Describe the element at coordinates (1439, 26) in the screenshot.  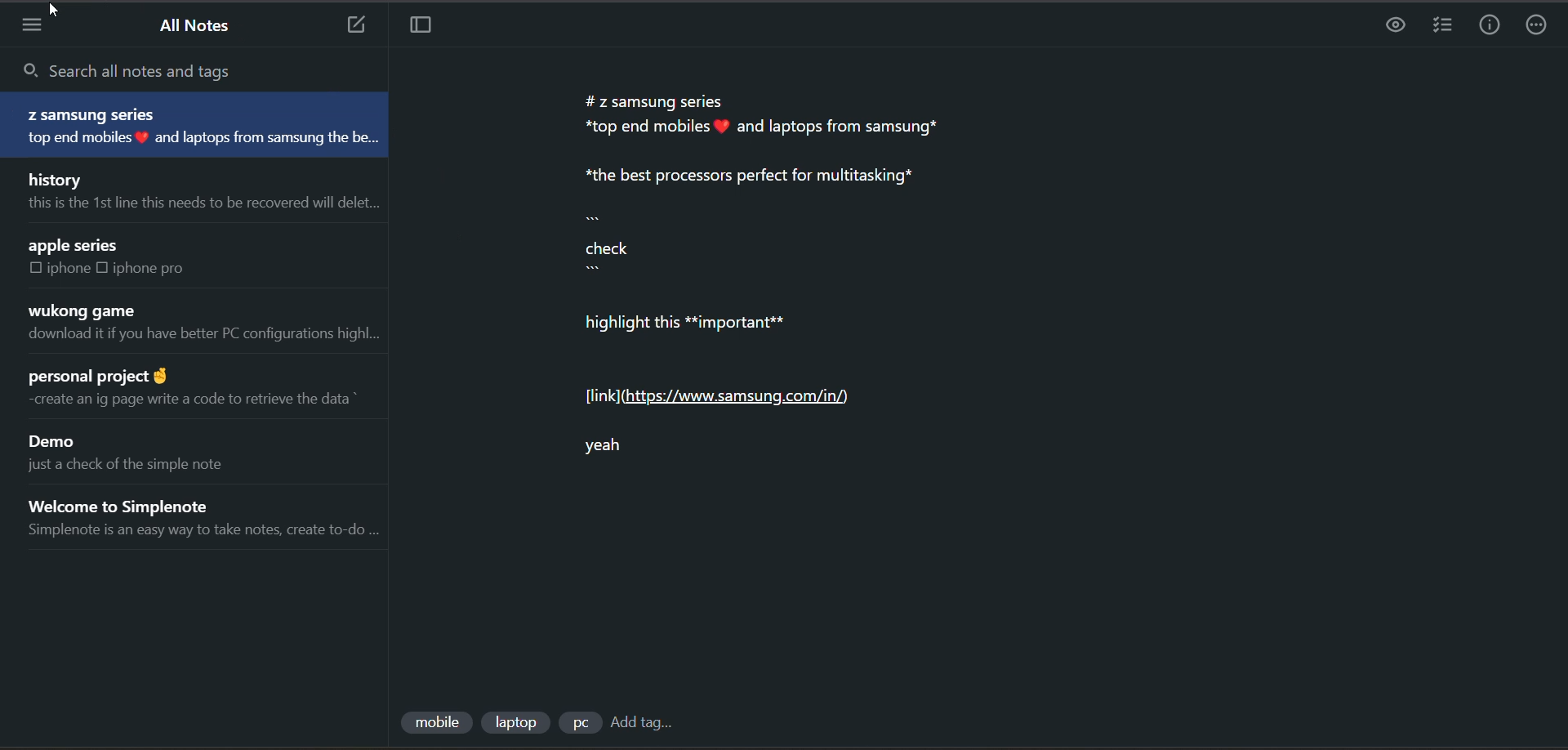
I see `insert checklist` at that location.